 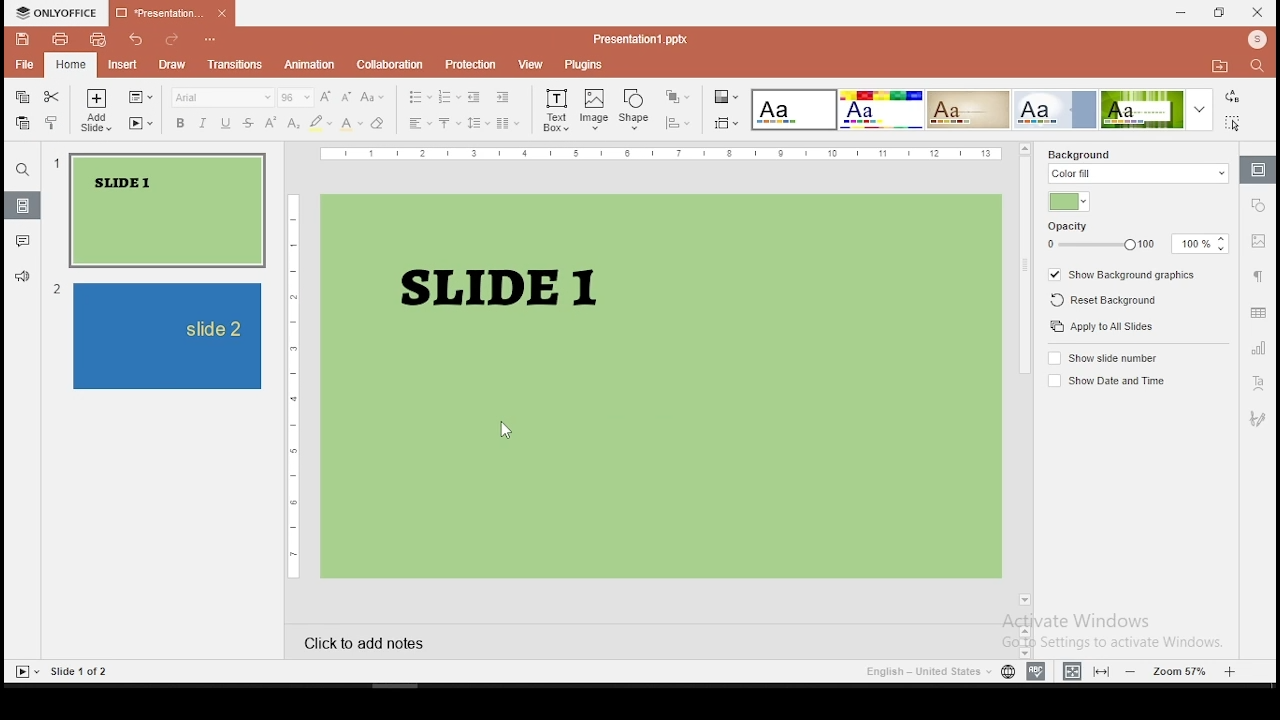 What do you see at coordinates (1258, 243) in the screenshot?
I see `image settings` at bounding box center [1258, 243].